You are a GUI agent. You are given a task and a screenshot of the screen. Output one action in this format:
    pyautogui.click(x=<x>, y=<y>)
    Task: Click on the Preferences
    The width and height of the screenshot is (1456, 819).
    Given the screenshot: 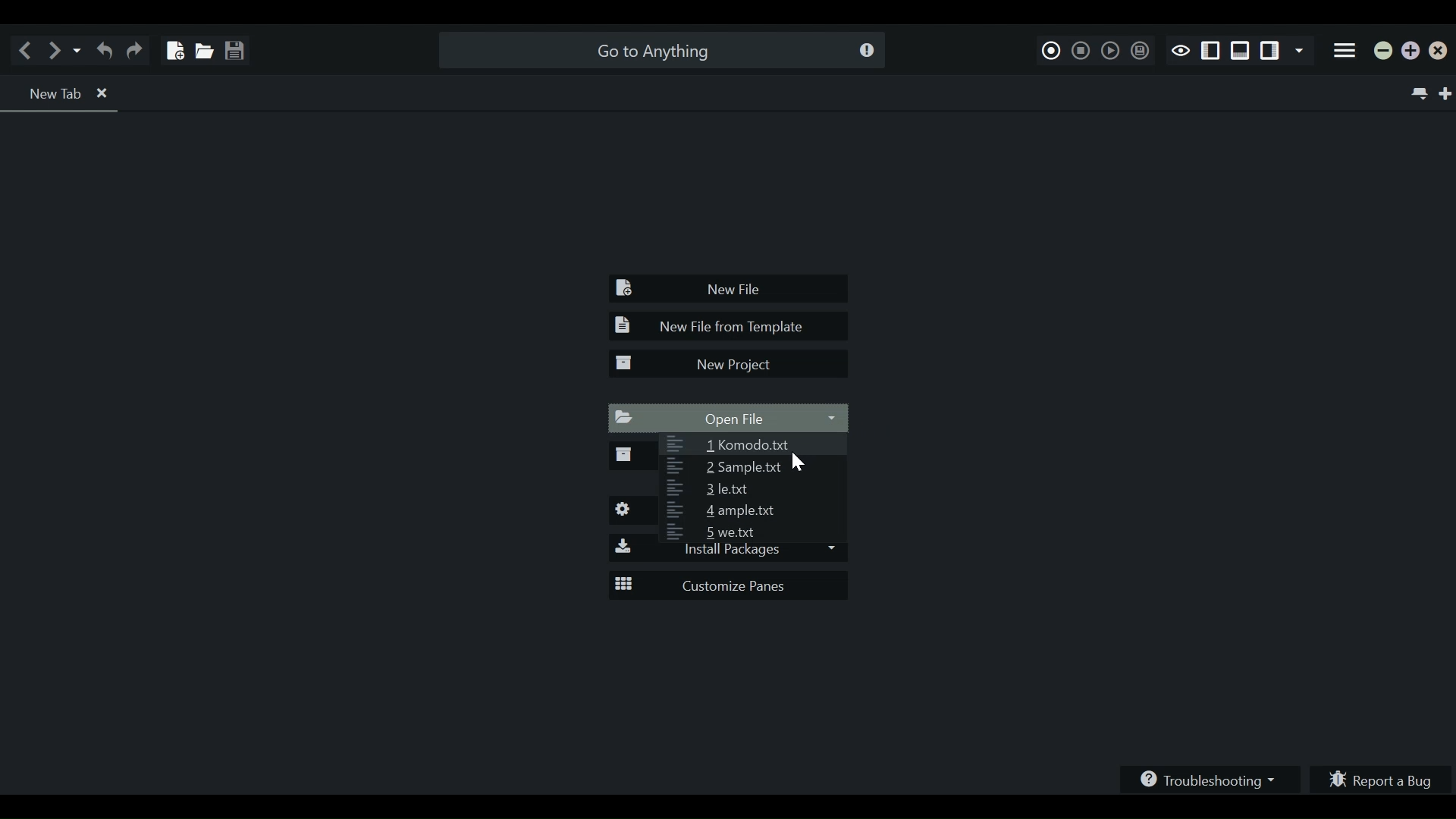 What is the action you would take?
    pyautogui.click(x=631, y=511)
    